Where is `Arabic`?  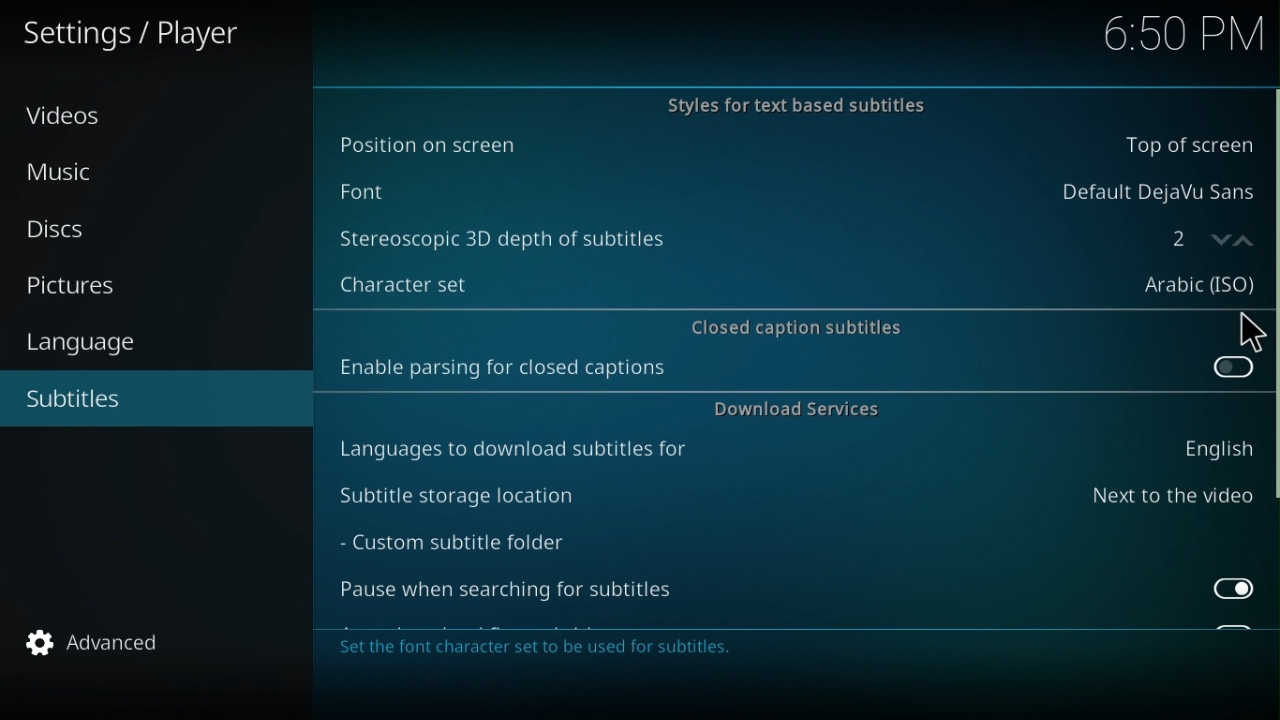 Arabic is located at coordinates (1188, 284).